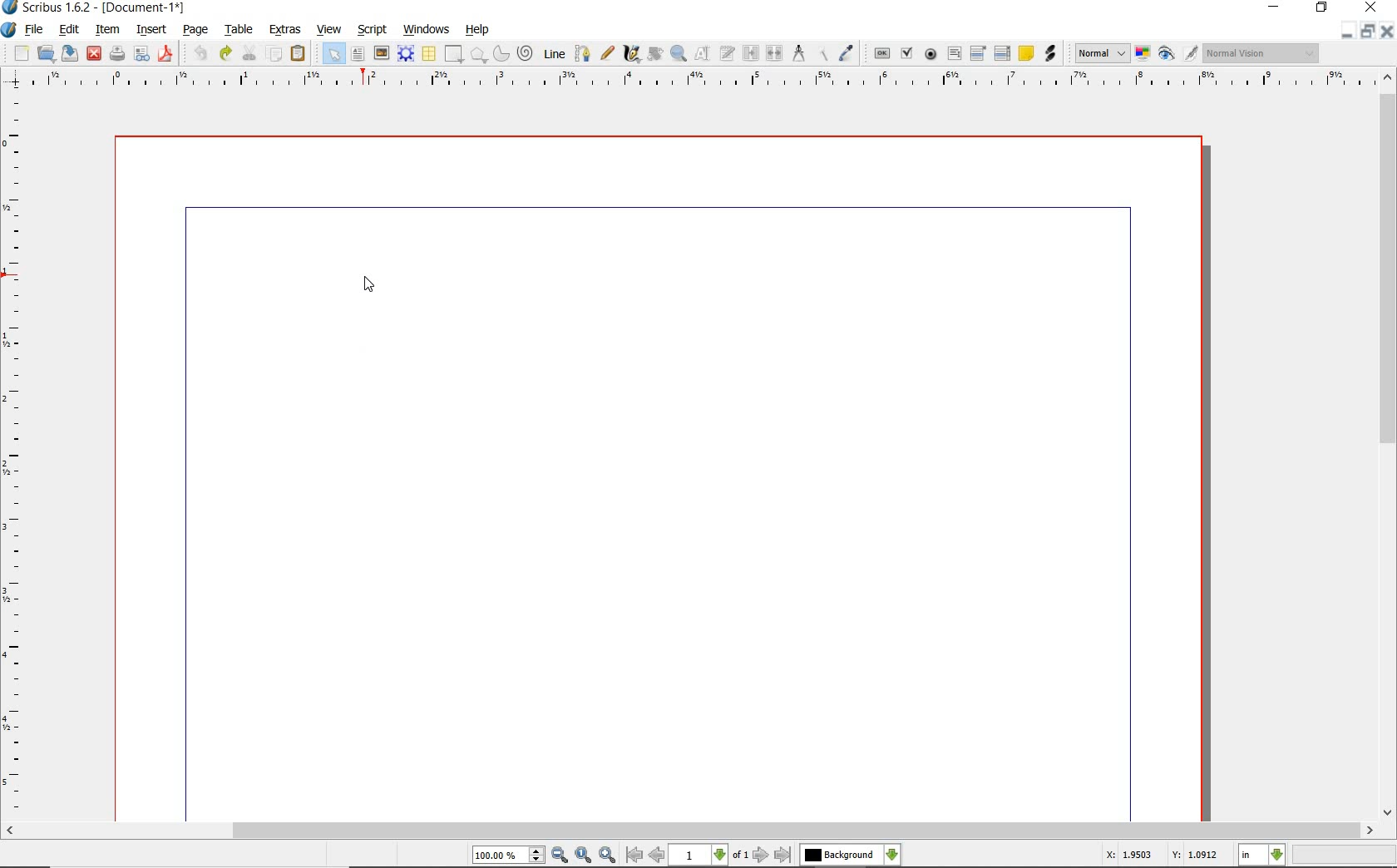  I want to click on select the current layer, so click(850, 855).